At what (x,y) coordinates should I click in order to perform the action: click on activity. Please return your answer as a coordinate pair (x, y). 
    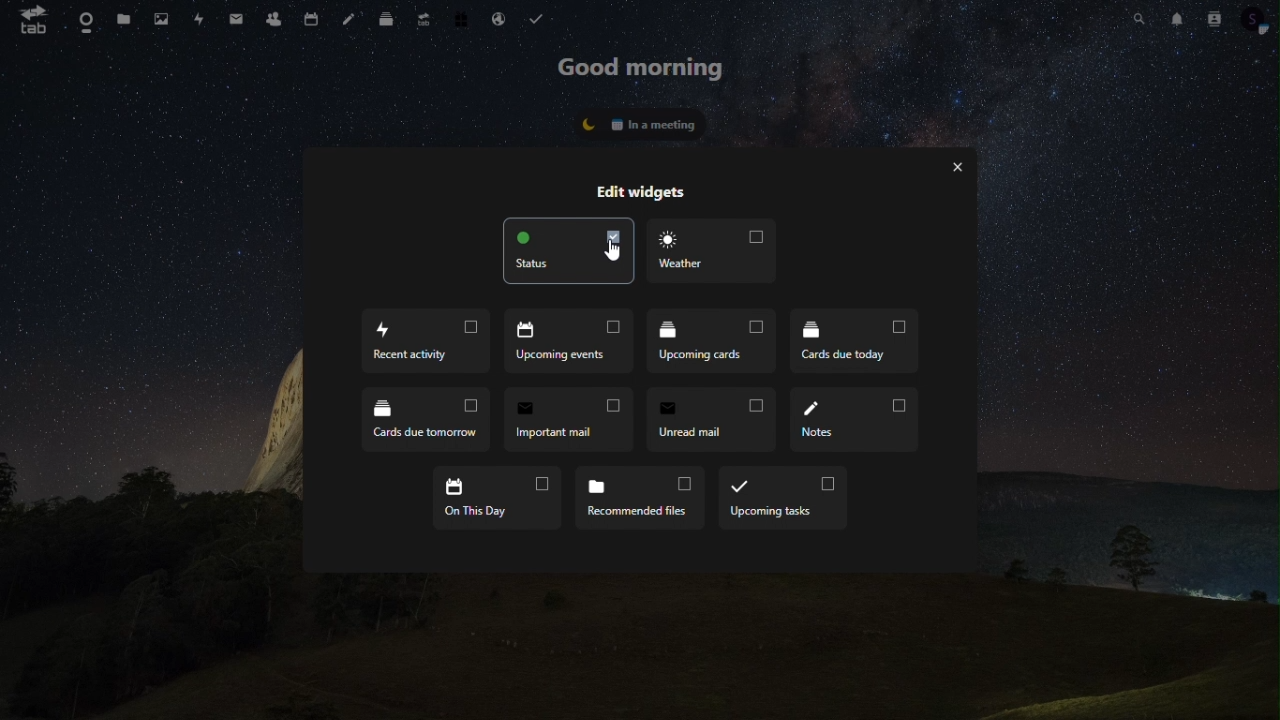
    Looking at the image, I should click on (200, 21).